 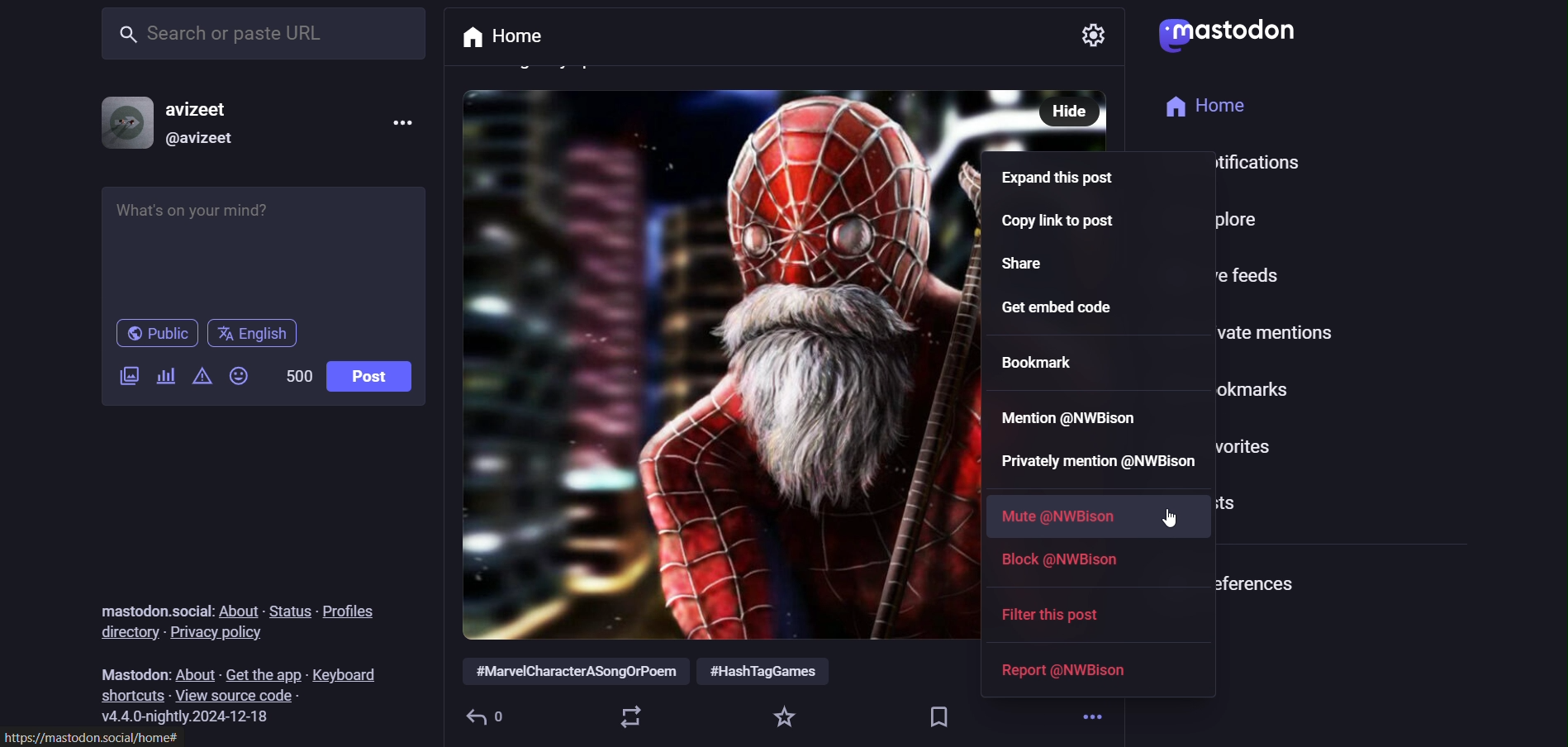 What do you see at coordinates (1076, 308) in the screenshot?
I see `get embed code` at bounding box center [1076, 308].